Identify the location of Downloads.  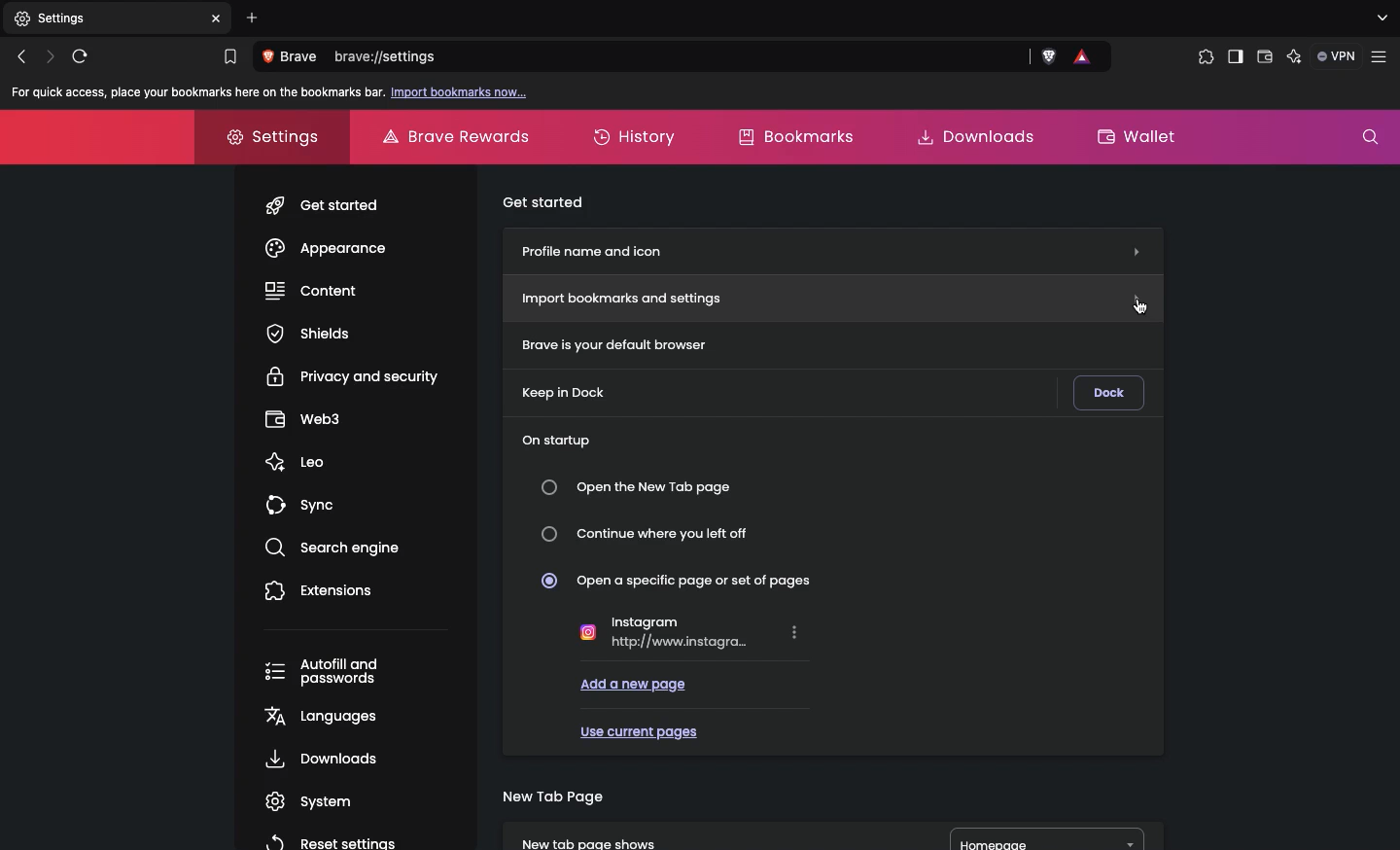
(968, 135).